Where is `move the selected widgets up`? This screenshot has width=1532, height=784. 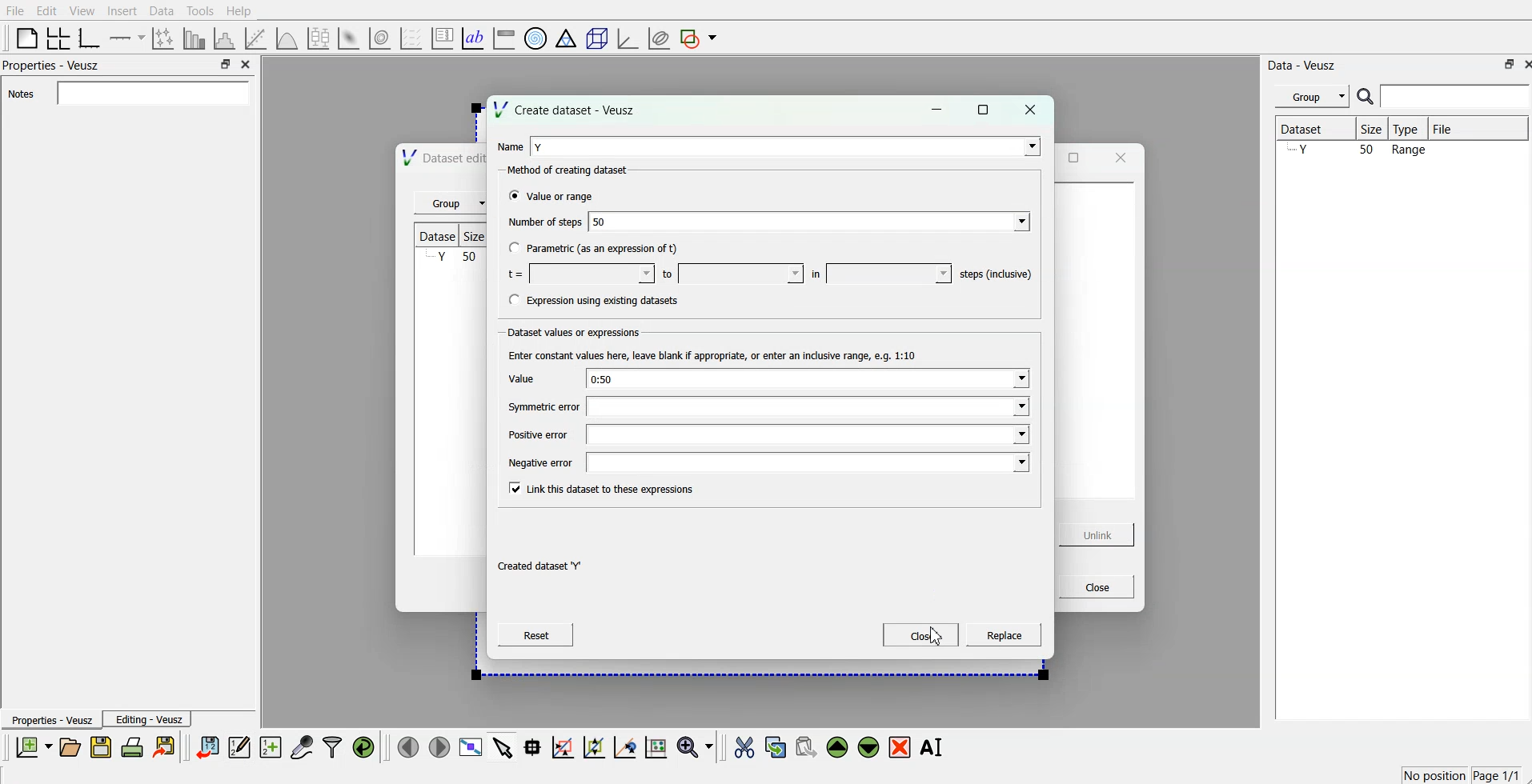
move the selected widgets up is located at coordinates (839, 747).